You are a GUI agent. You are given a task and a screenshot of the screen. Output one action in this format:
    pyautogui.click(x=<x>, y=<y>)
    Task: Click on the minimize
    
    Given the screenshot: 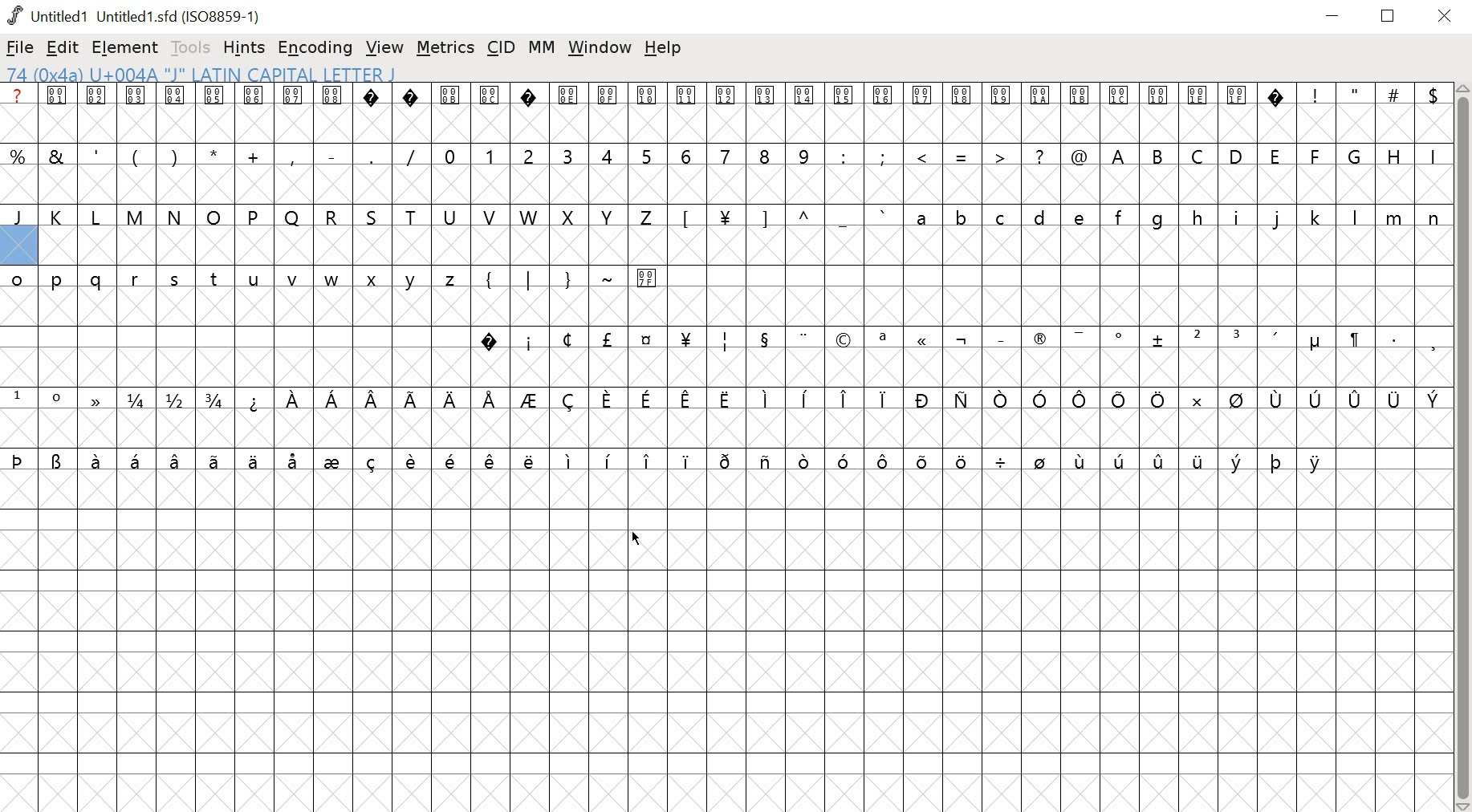 What is the action you would take?
    pyautogui.click(x=1332, y=17)
    